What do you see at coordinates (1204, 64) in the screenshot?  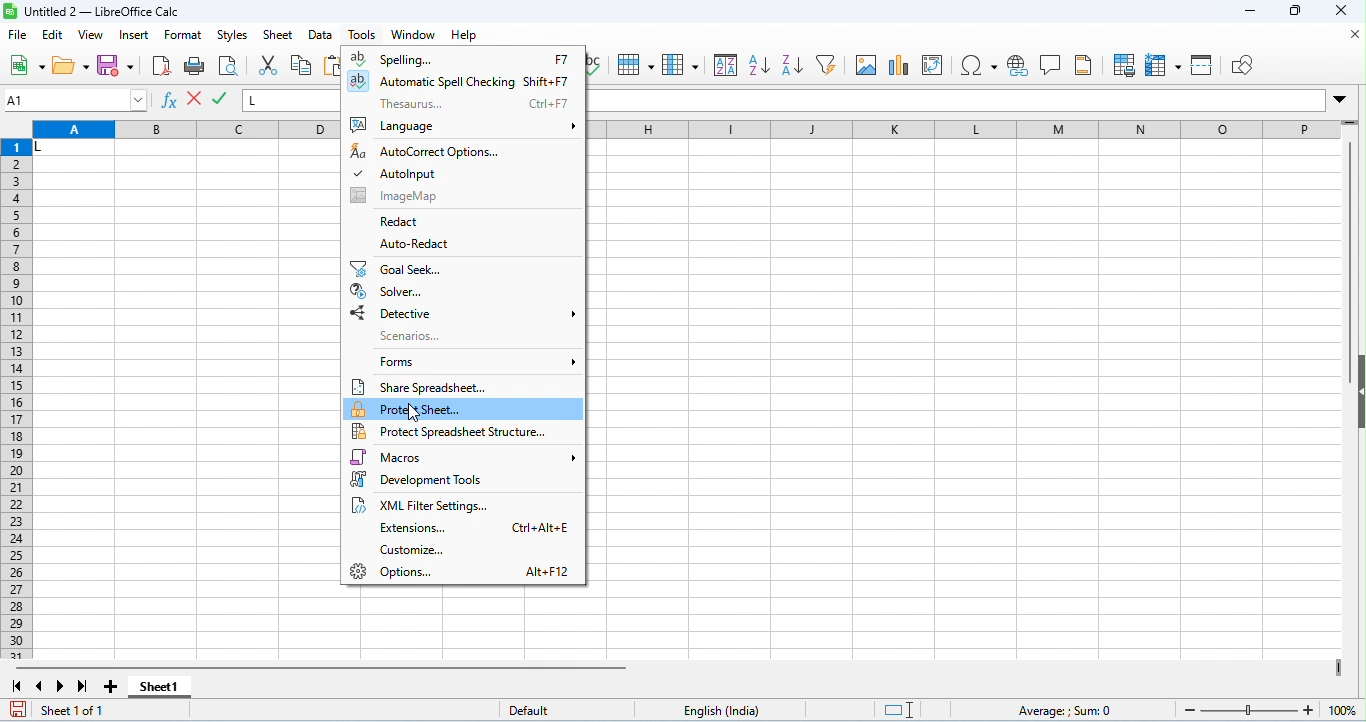 I see `split window` at bounding box center [1204, 64].